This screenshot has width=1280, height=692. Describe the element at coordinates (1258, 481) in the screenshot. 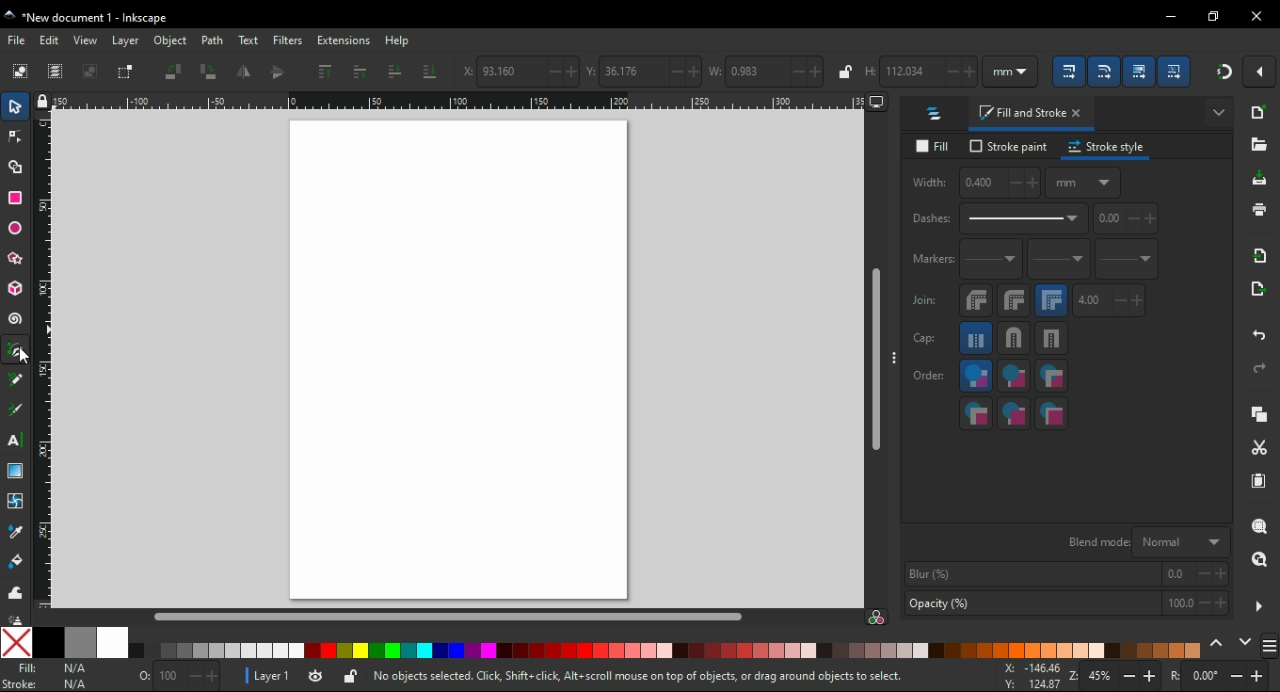

I see `paste` at that location.